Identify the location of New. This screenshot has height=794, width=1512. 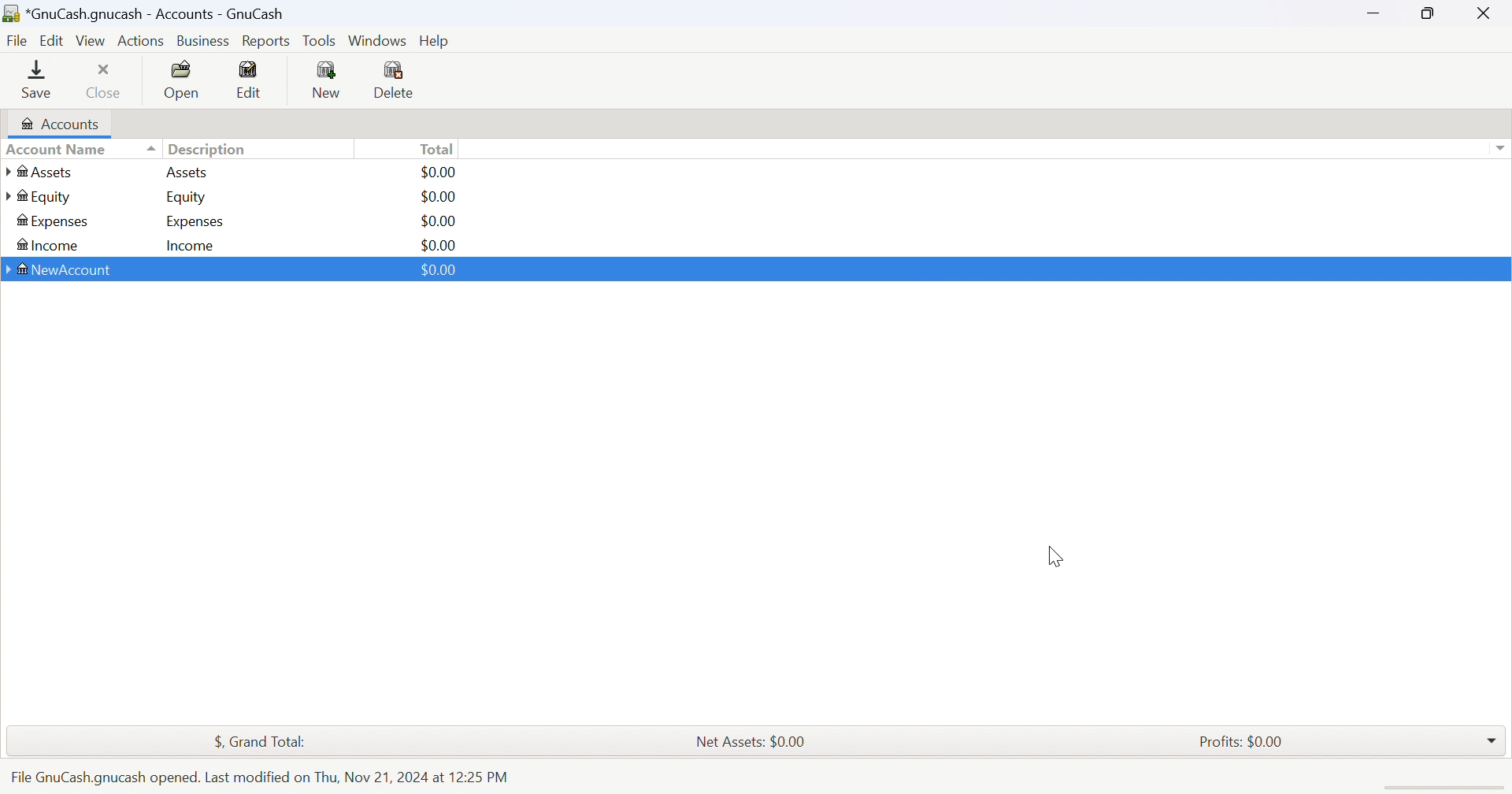
(325, 79).